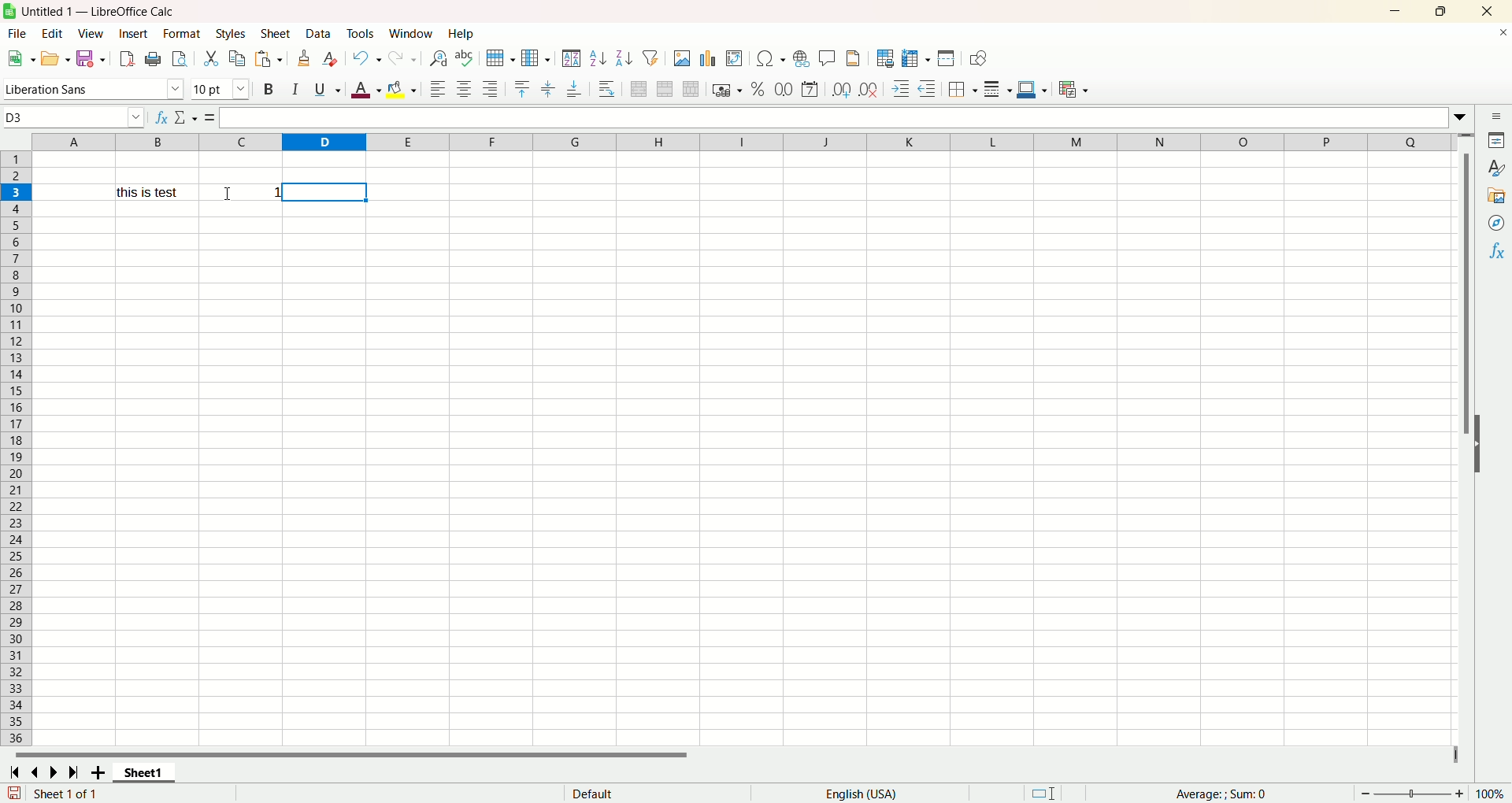  Describe the element at coordinates (1498, 140) in the screenshot. I see `properties` at that location.